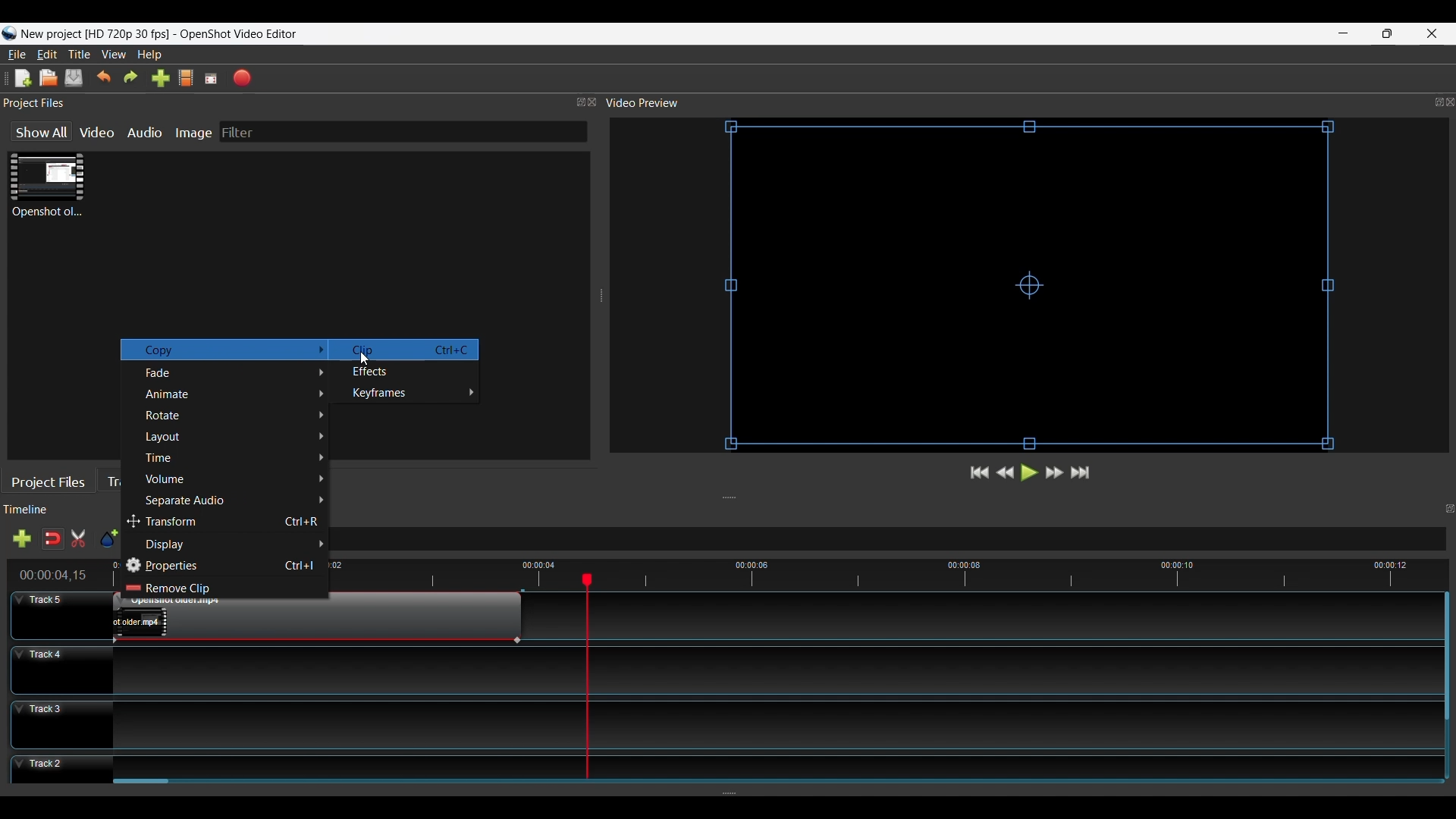  Describe the element at coordinates (1055, 472) in the screenshot. I see `Fast Forward` at that location.